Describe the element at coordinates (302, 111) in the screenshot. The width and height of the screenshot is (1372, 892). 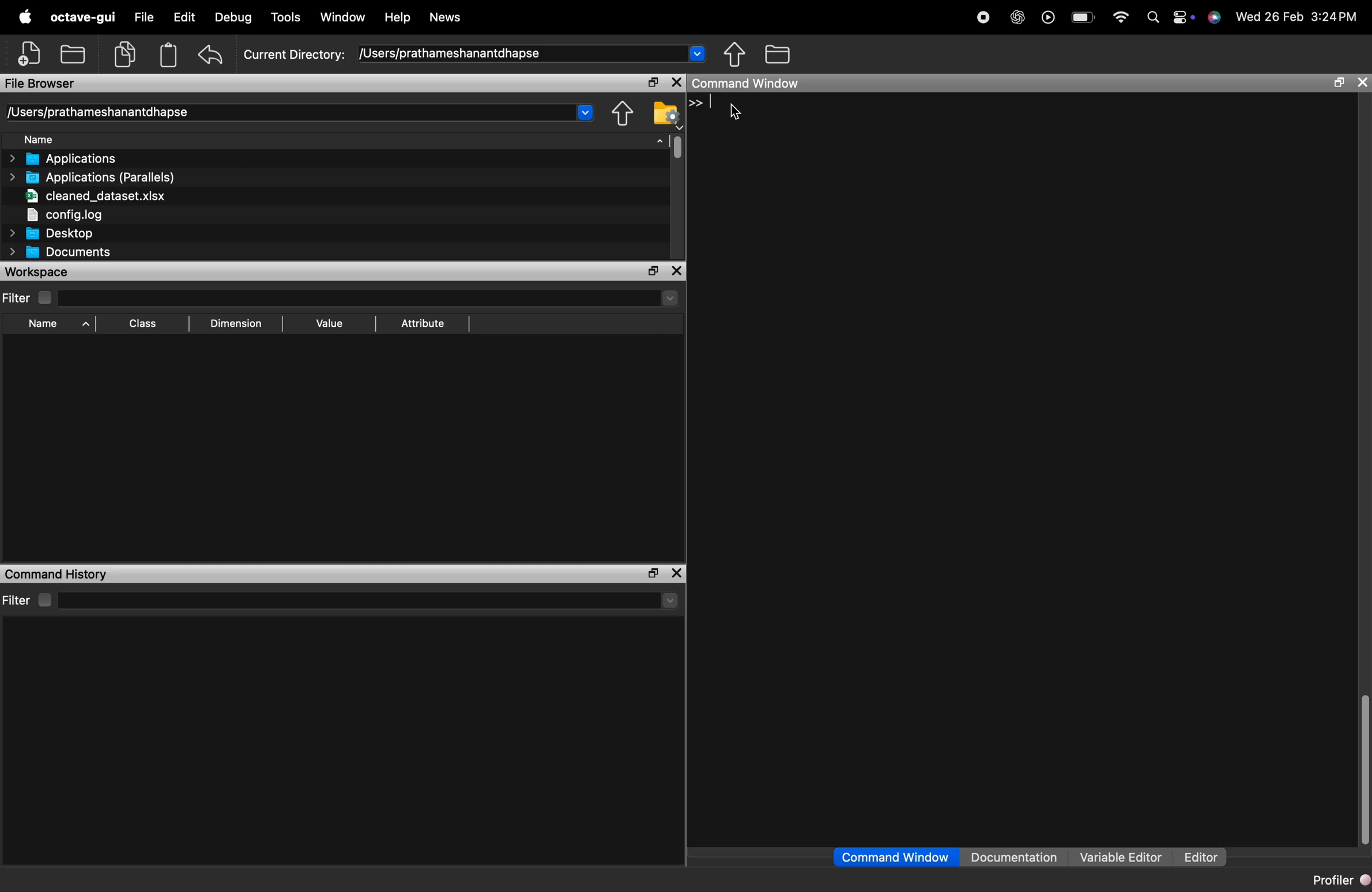
I see `Users/prathameshanantdhapse` at that location.